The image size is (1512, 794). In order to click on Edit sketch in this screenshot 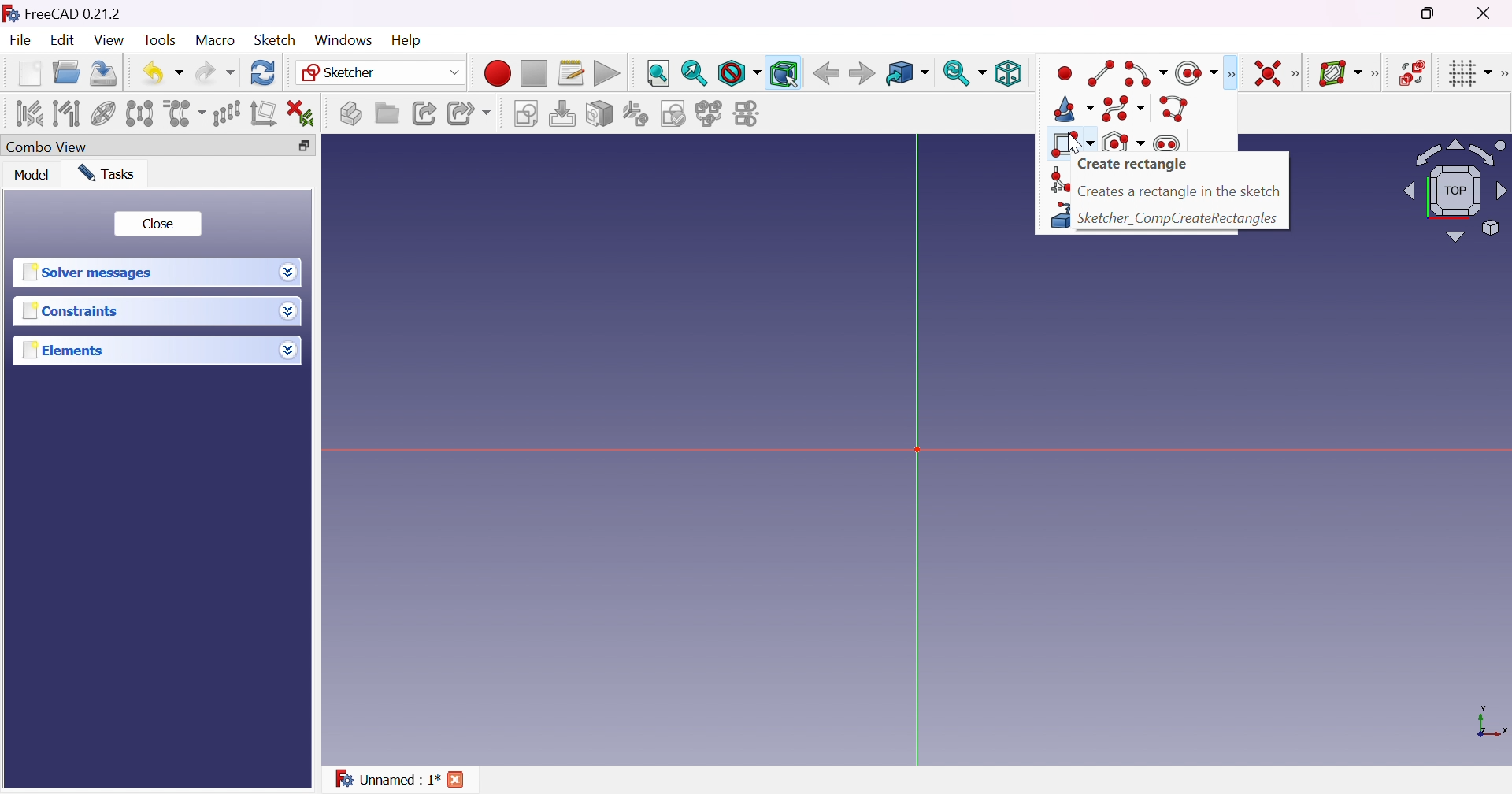, I will do `click(561, 113)`.